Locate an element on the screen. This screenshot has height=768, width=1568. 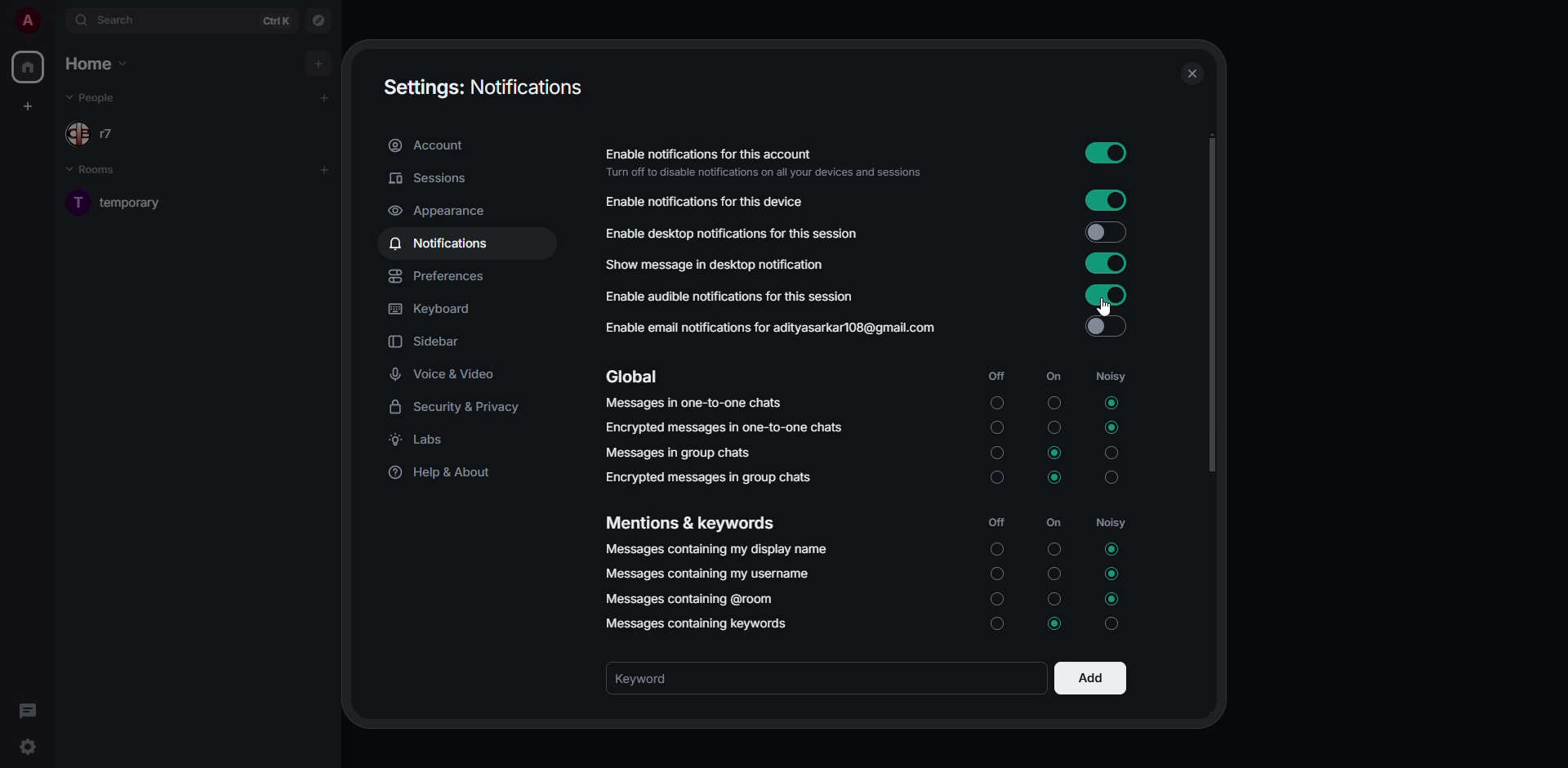
keyword is located at coordinates (647, 679).